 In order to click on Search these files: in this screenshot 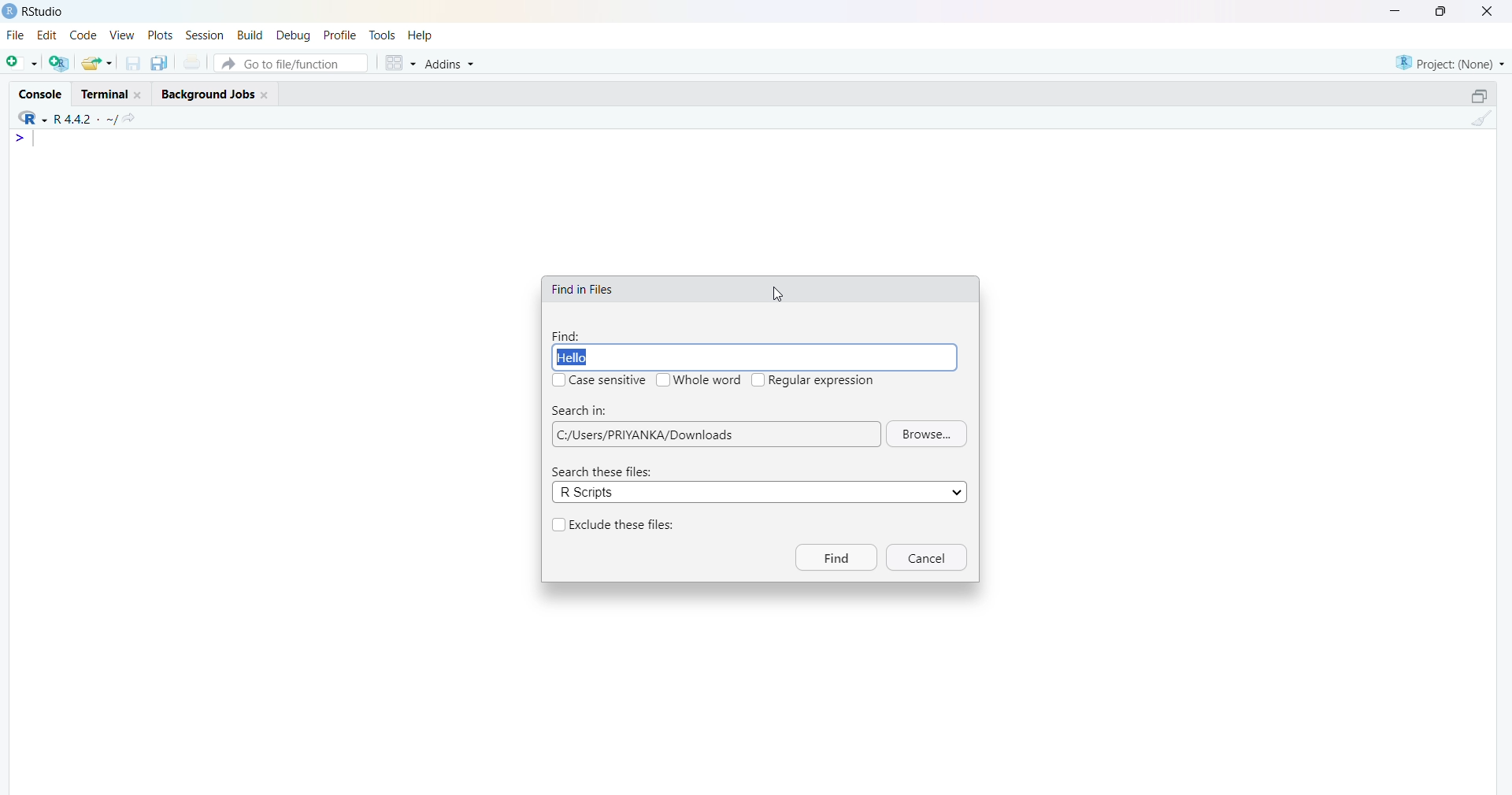, I will do `click(604, 472)`.